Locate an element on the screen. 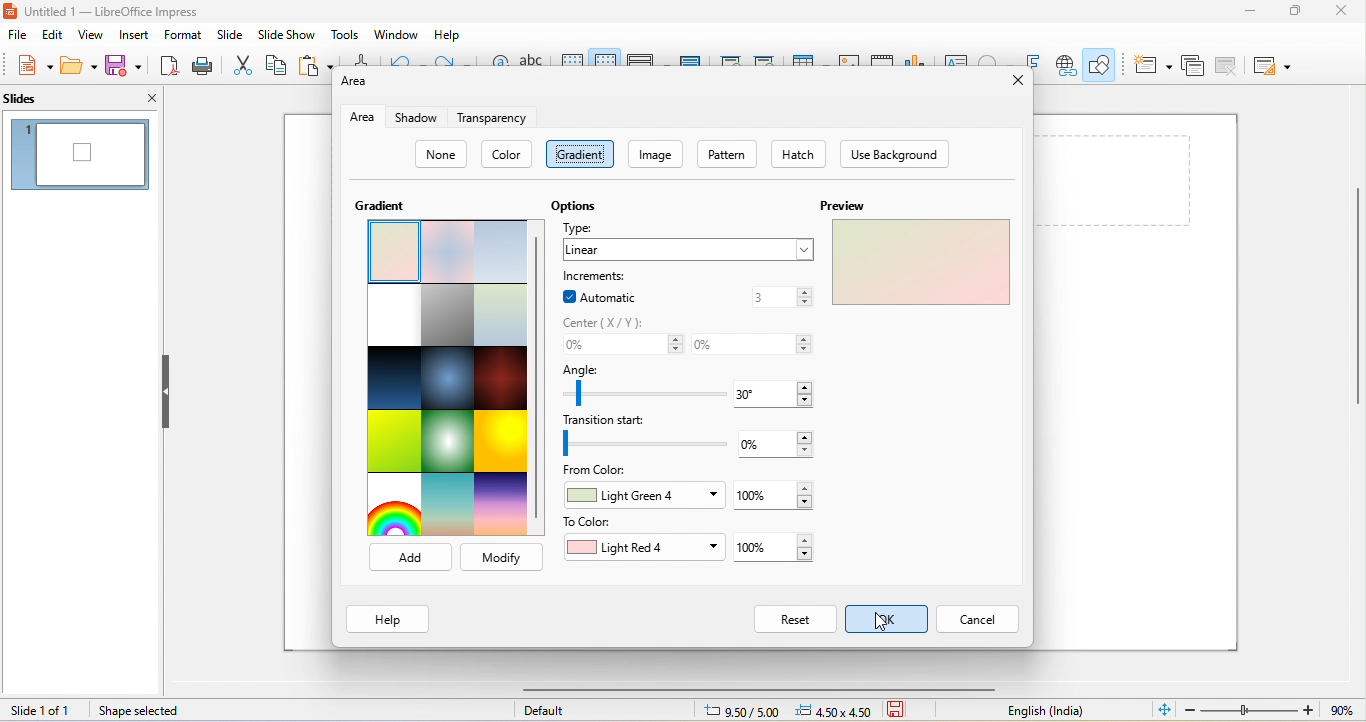 This screenshot has height=722, width=1366. angle is located at coordinates (633, 369).